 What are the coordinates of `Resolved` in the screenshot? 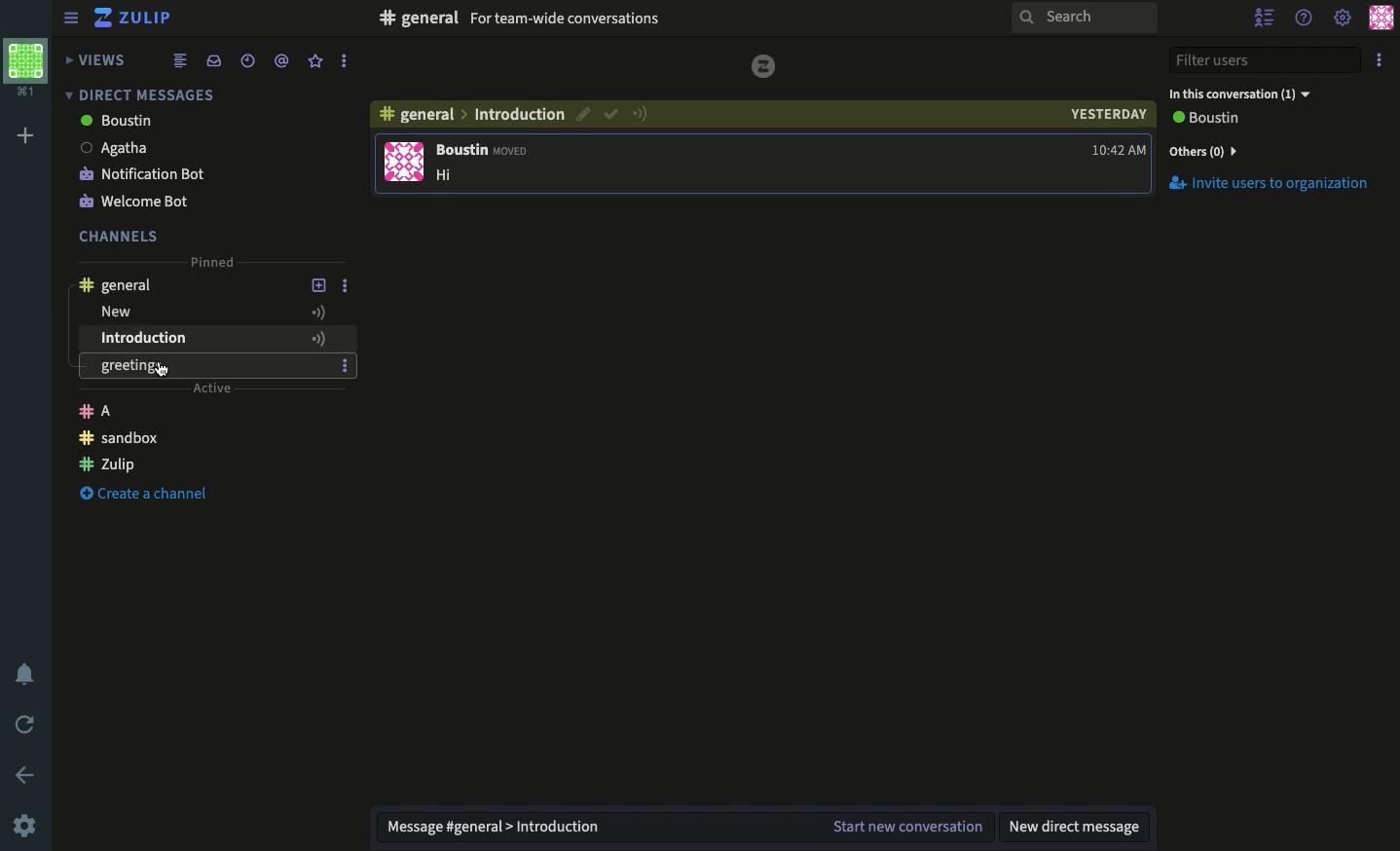 It's located at (611, 113).